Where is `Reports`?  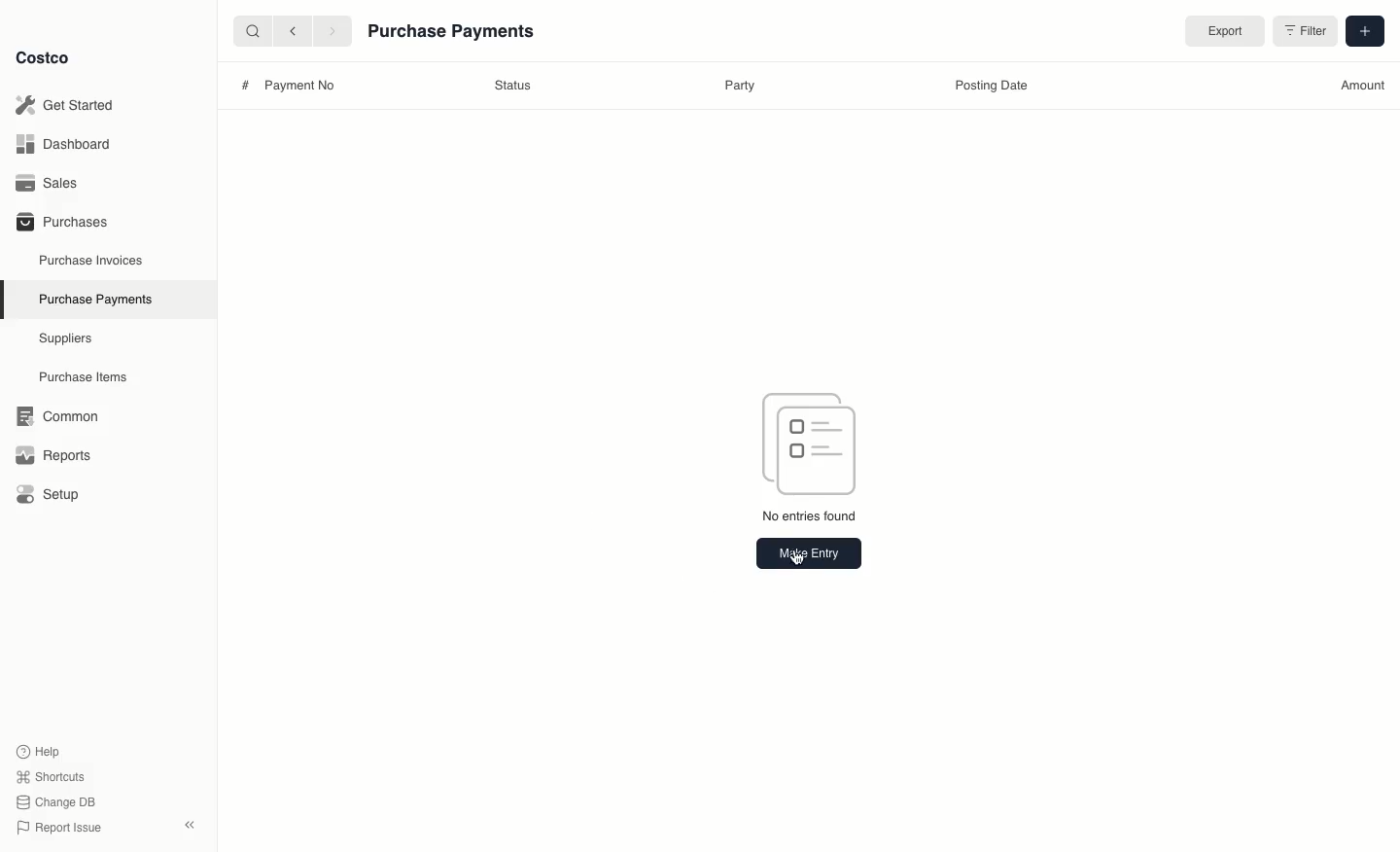
Reports is located at coordinates (51, 452).